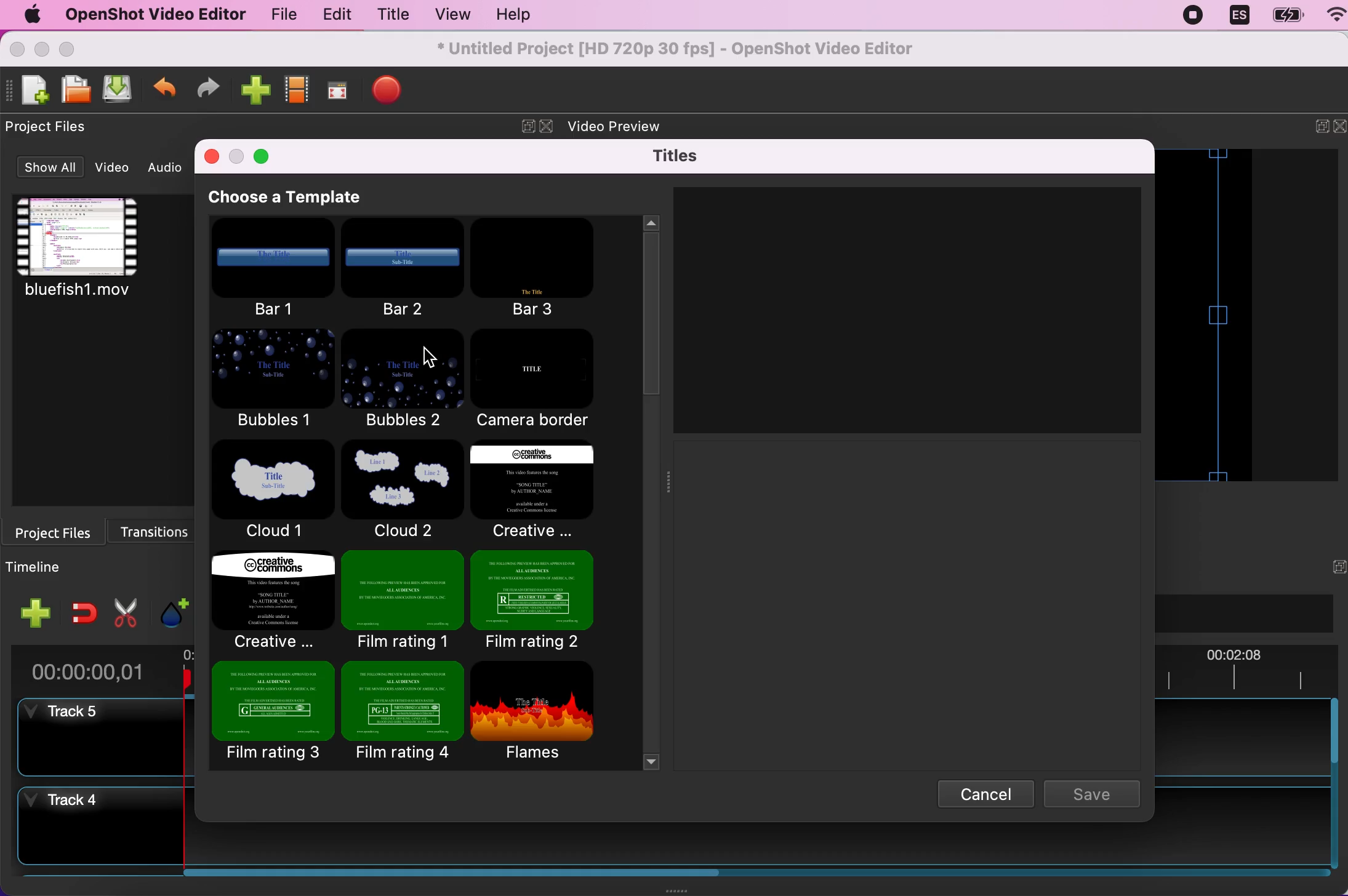 Image resolution: width=1348 pixels, height=896 pixels. I want to click on minimize, so click(41, 50).